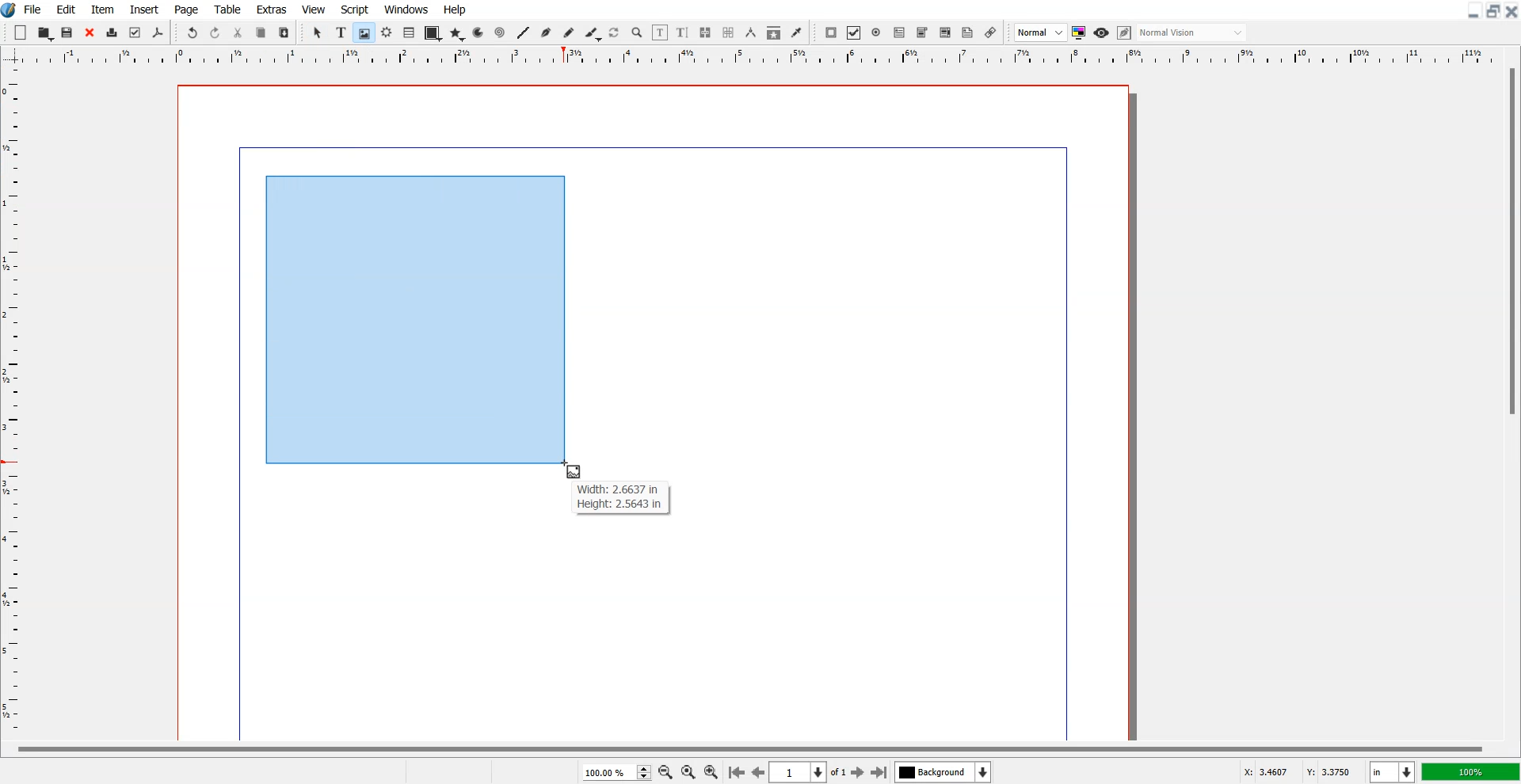  What do you see at coordinates (1492, 11) in the screenshot?
I see `Maximize` at bounding box center [1492, 11].